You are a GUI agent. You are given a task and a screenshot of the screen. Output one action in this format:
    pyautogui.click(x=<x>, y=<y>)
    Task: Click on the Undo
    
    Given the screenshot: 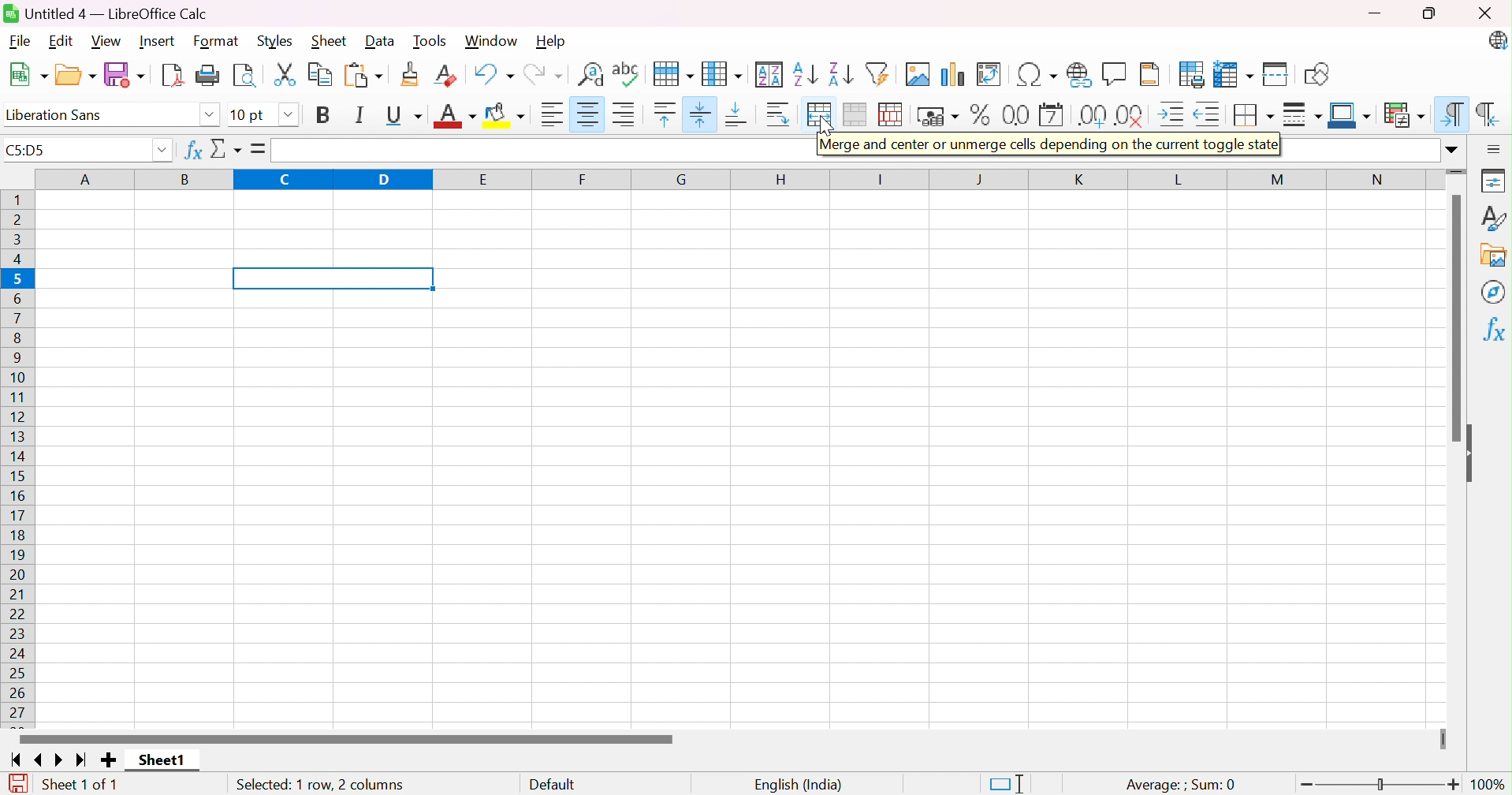 What is the action you would take?
    pyautogui.click(x=493, y=73)
    